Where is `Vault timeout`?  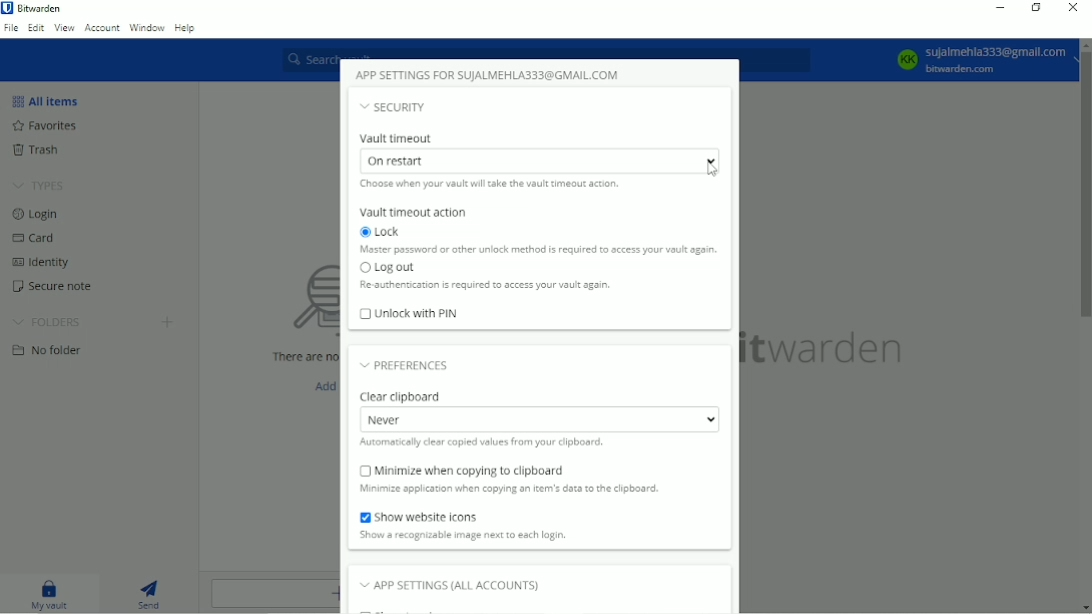 Vault timeout is located at coordinates (397, 139).